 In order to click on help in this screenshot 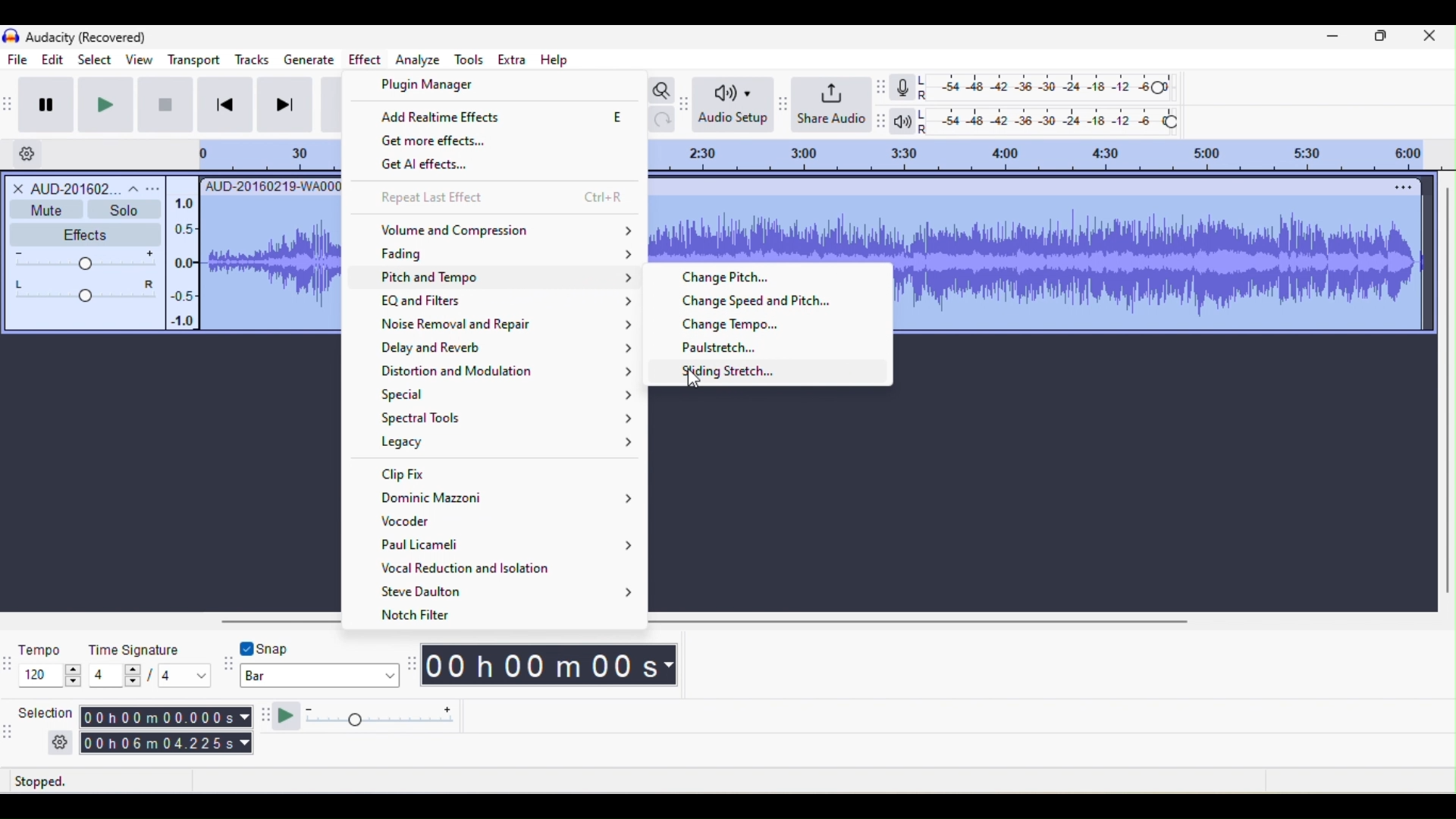, I will do `click(552, 60)`.